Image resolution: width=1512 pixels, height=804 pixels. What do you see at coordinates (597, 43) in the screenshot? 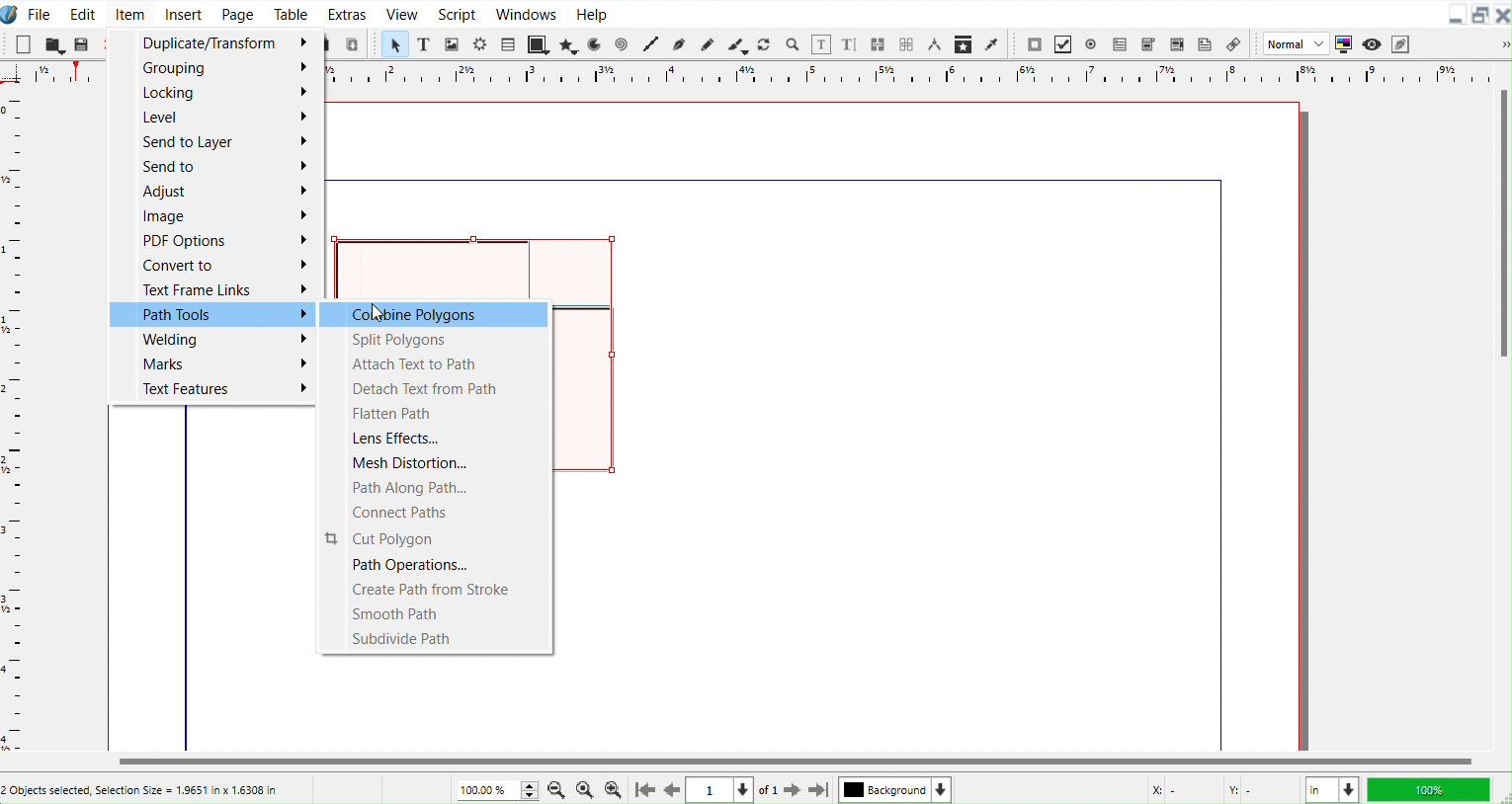
I see `Arc` at bounding box center [597, 43].